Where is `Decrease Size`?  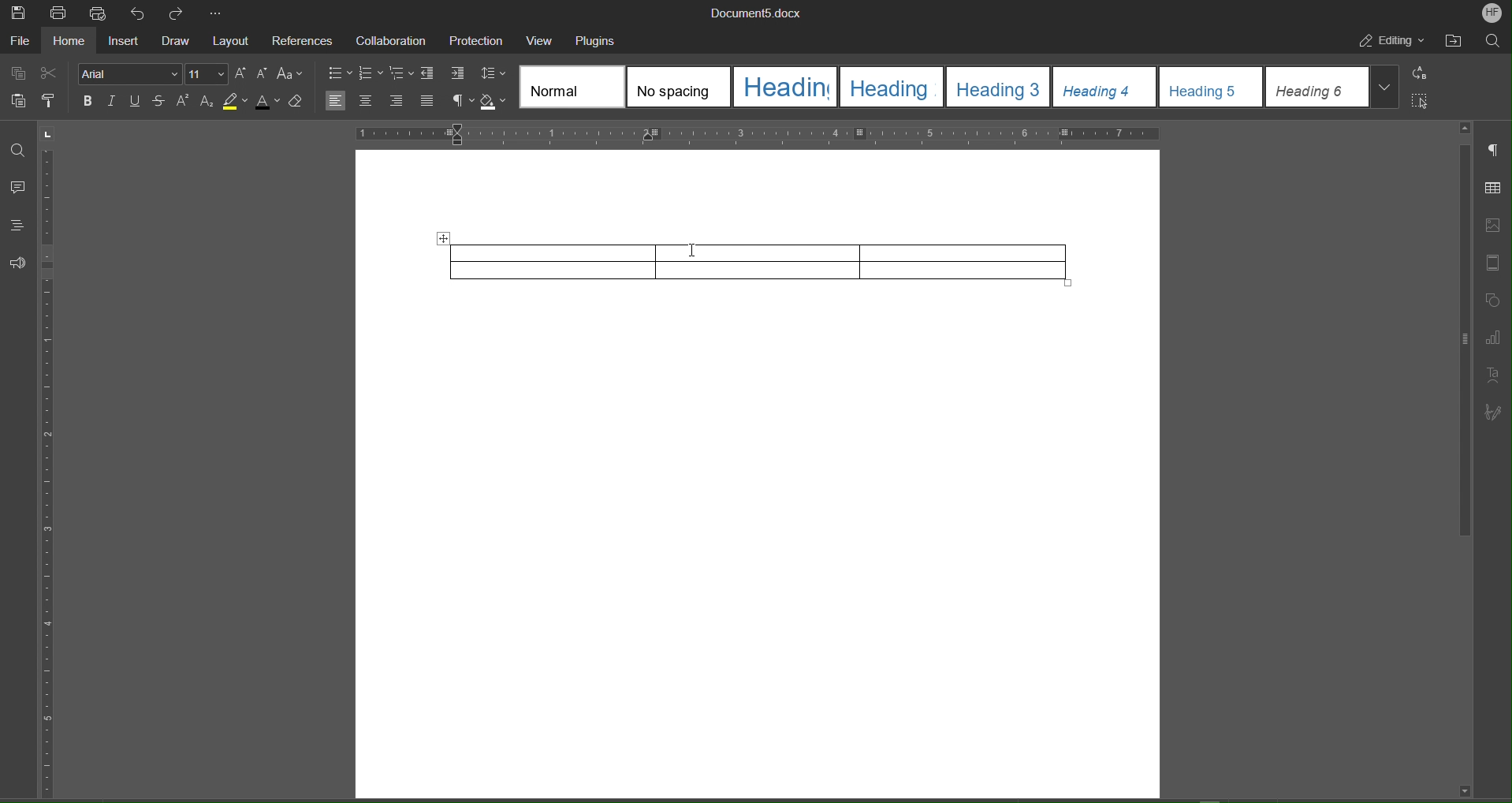
Decrease Size is located at coordinates (262, 74).